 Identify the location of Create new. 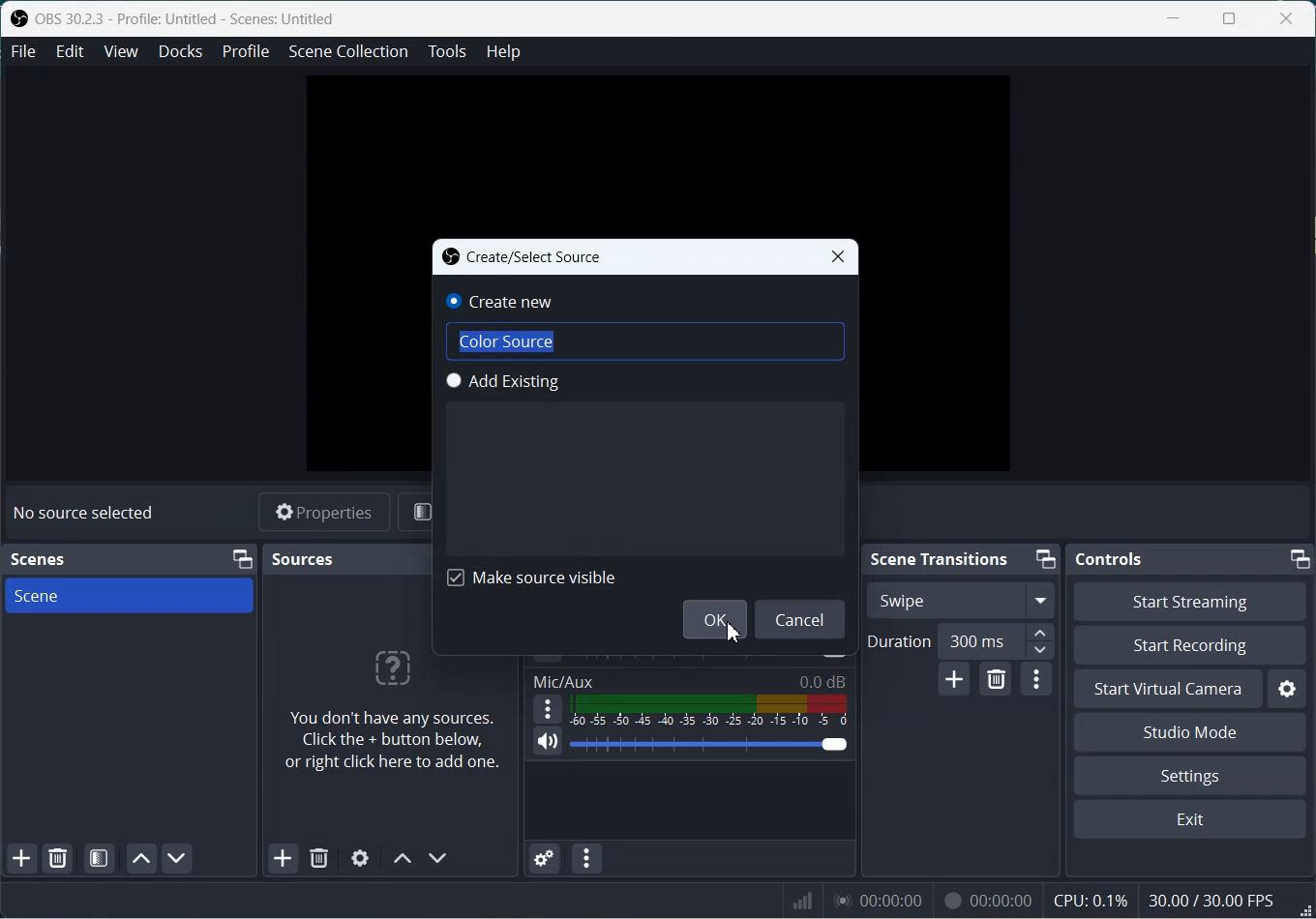
(501, 301).